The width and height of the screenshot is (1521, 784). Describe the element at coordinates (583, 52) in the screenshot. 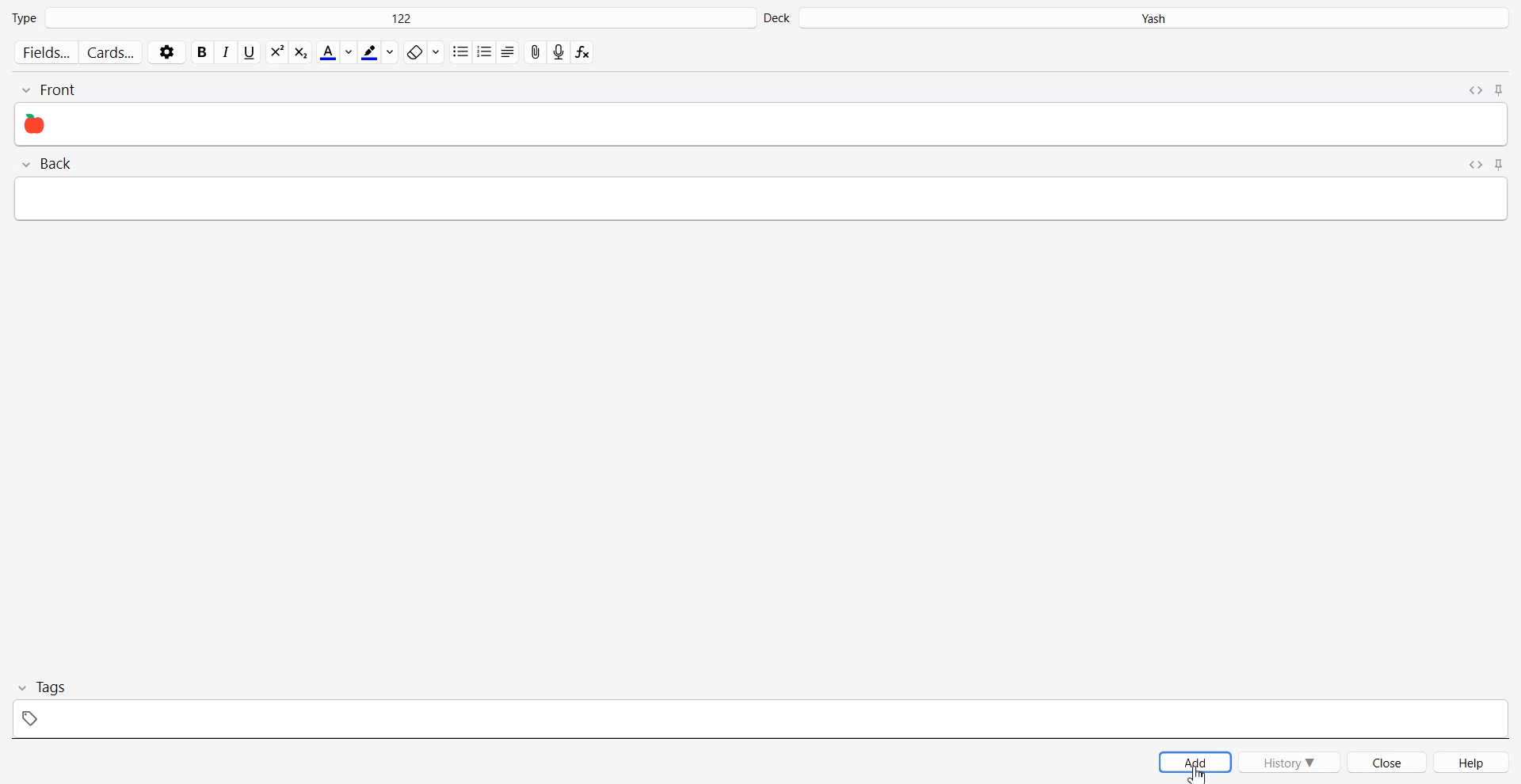

I see `Equation` at that location.